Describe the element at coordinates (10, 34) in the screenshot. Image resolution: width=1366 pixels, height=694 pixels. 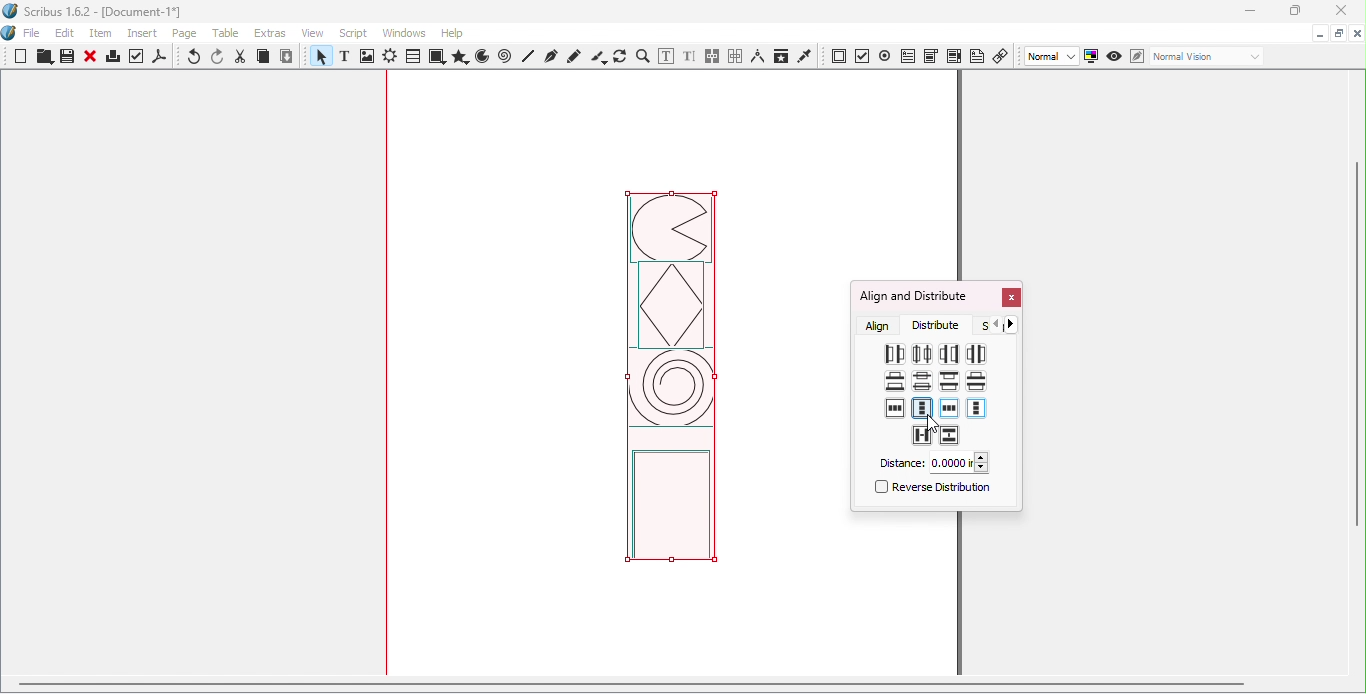
I see `Logo` at that location.